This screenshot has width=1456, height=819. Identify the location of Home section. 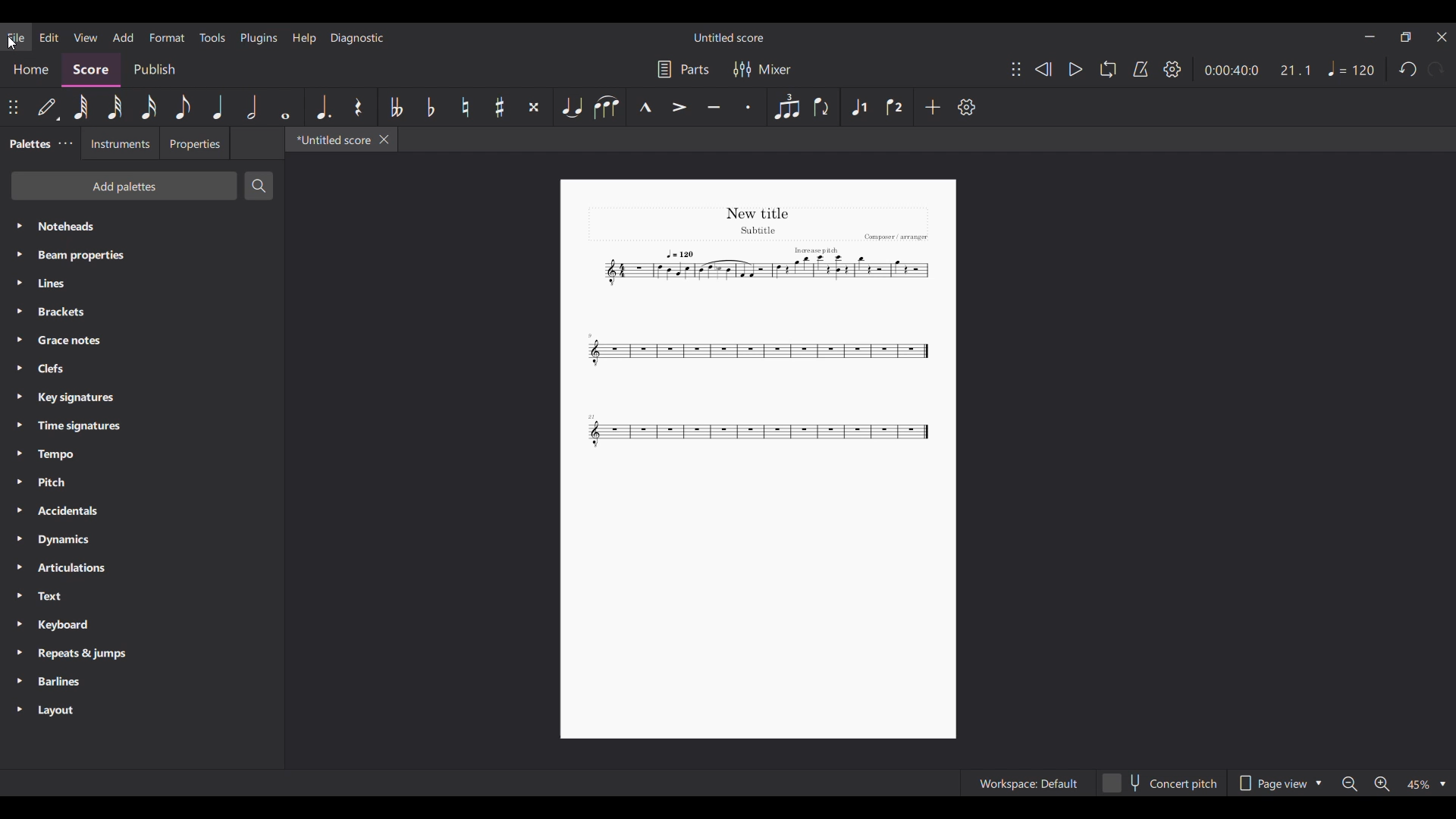
(30, 71).